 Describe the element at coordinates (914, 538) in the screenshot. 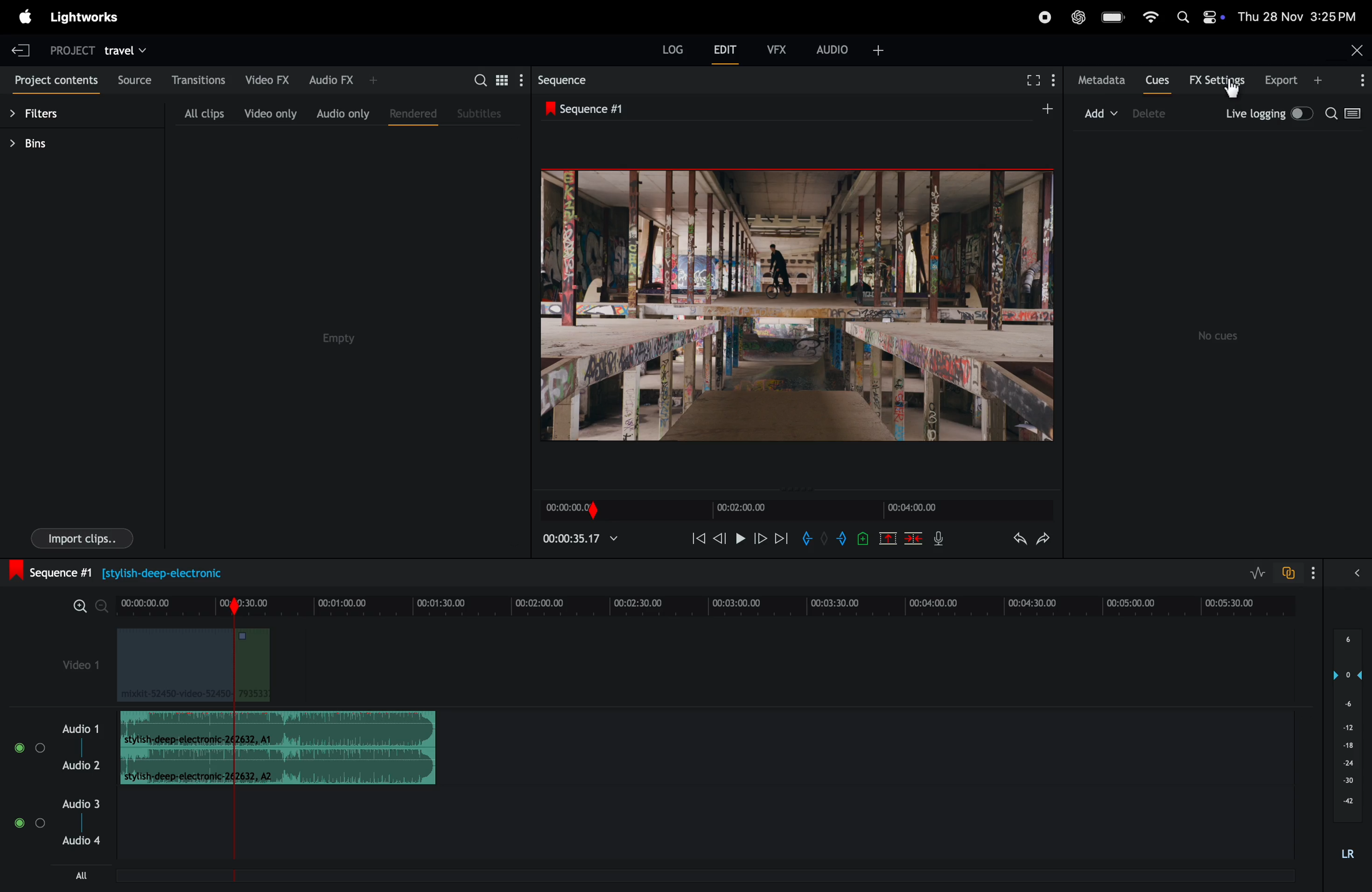

I see `delete` at that location.